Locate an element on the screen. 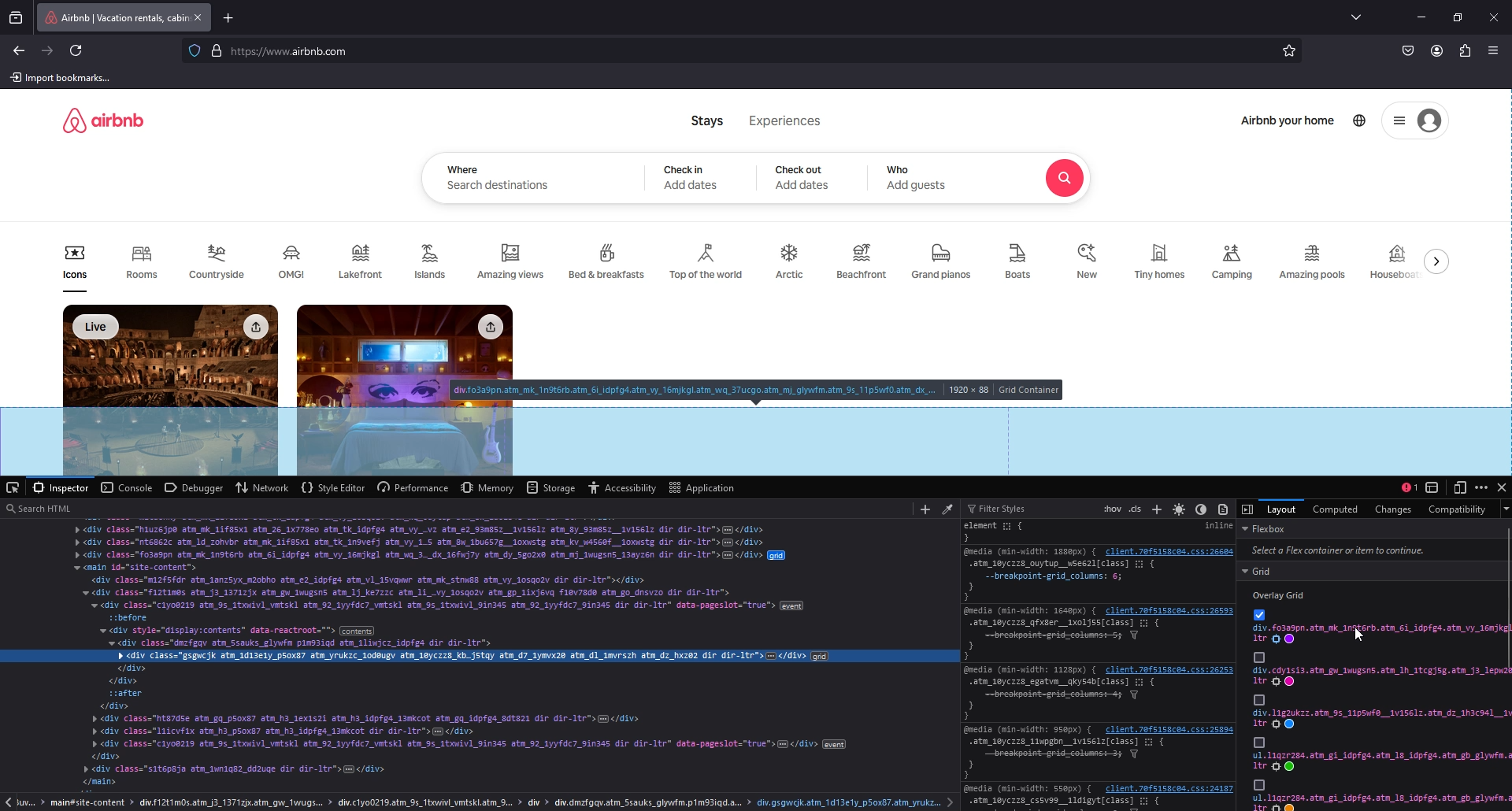 The width and height of the screenshot is (1512, 811). performance is located at coordinates (413, 487).